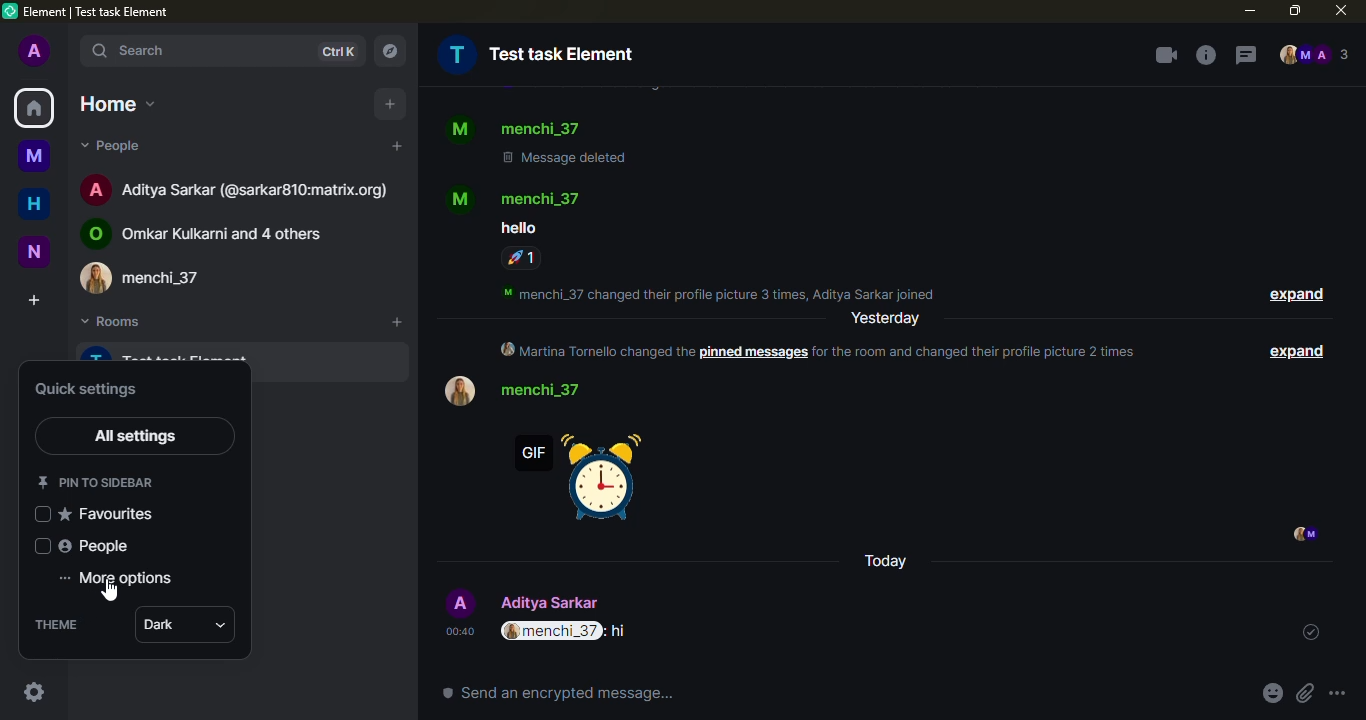 This screenshot has height=720, width=1366. What do you see at coordinates (458, 391) in the screenshot?
I see `profile` at bounding box center [458, 391].